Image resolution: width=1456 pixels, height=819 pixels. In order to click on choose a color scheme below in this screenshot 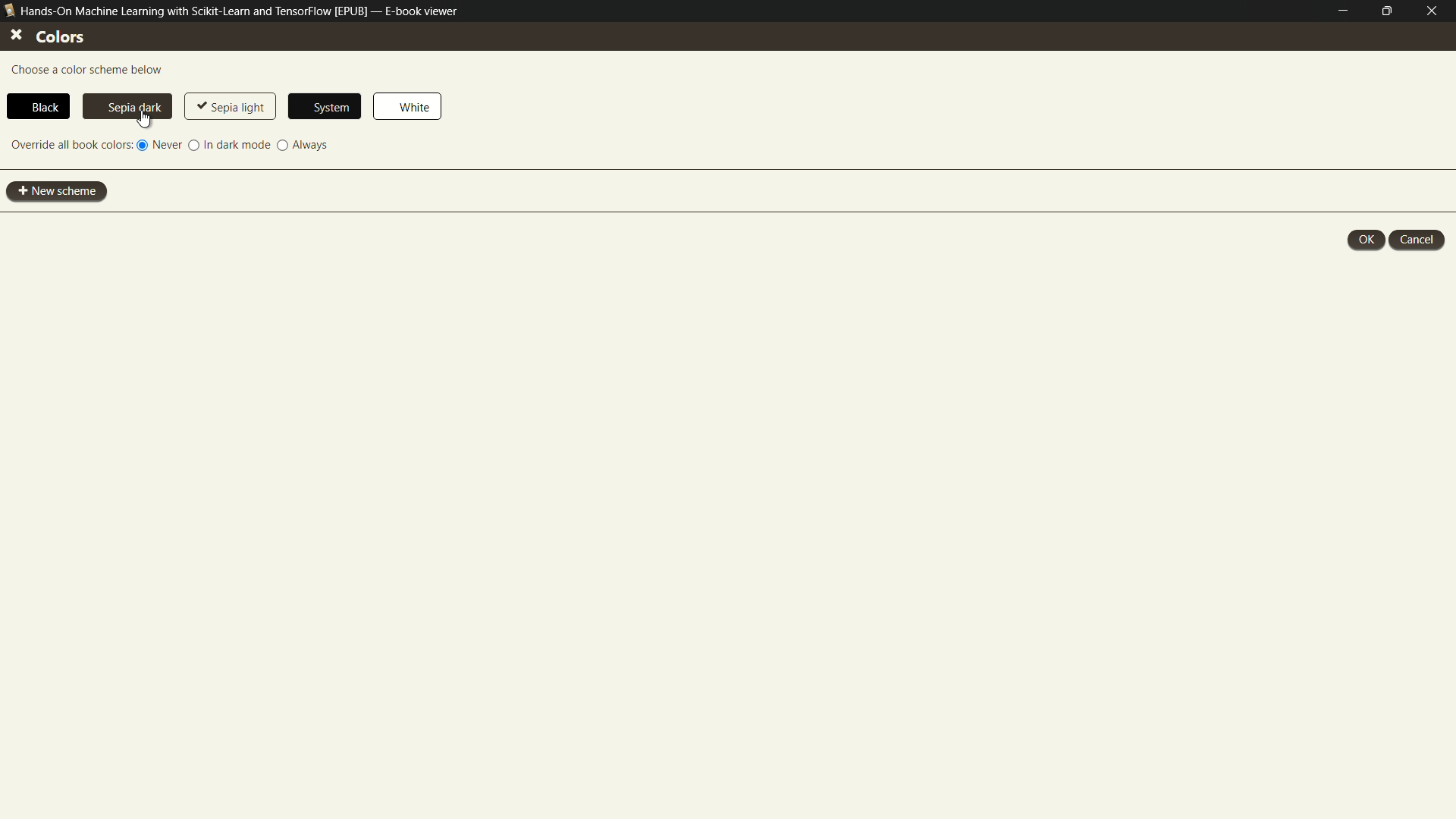, I will do `click(83, 69)`.